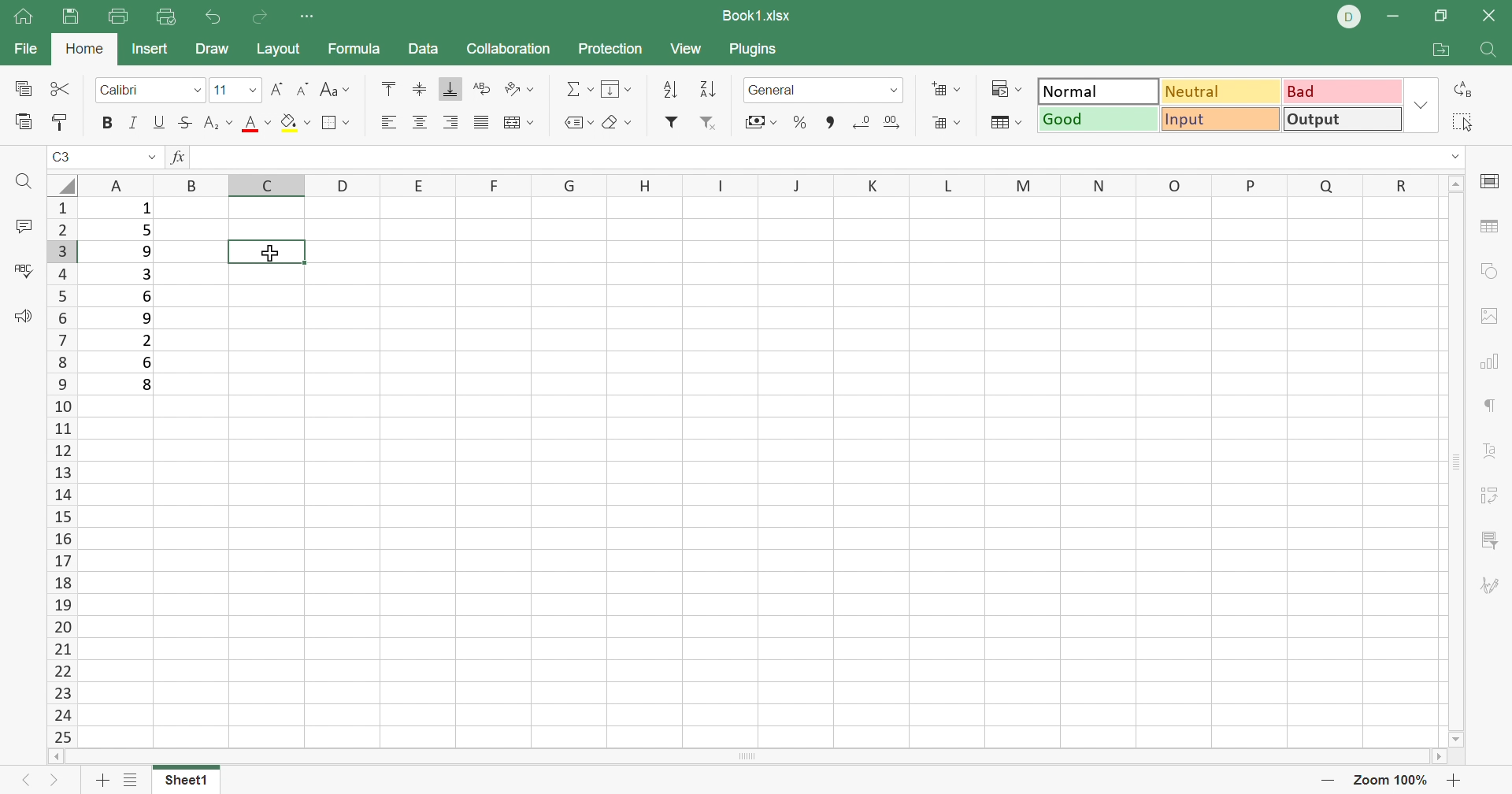  I want to click on Bad, so click(1344, 91).